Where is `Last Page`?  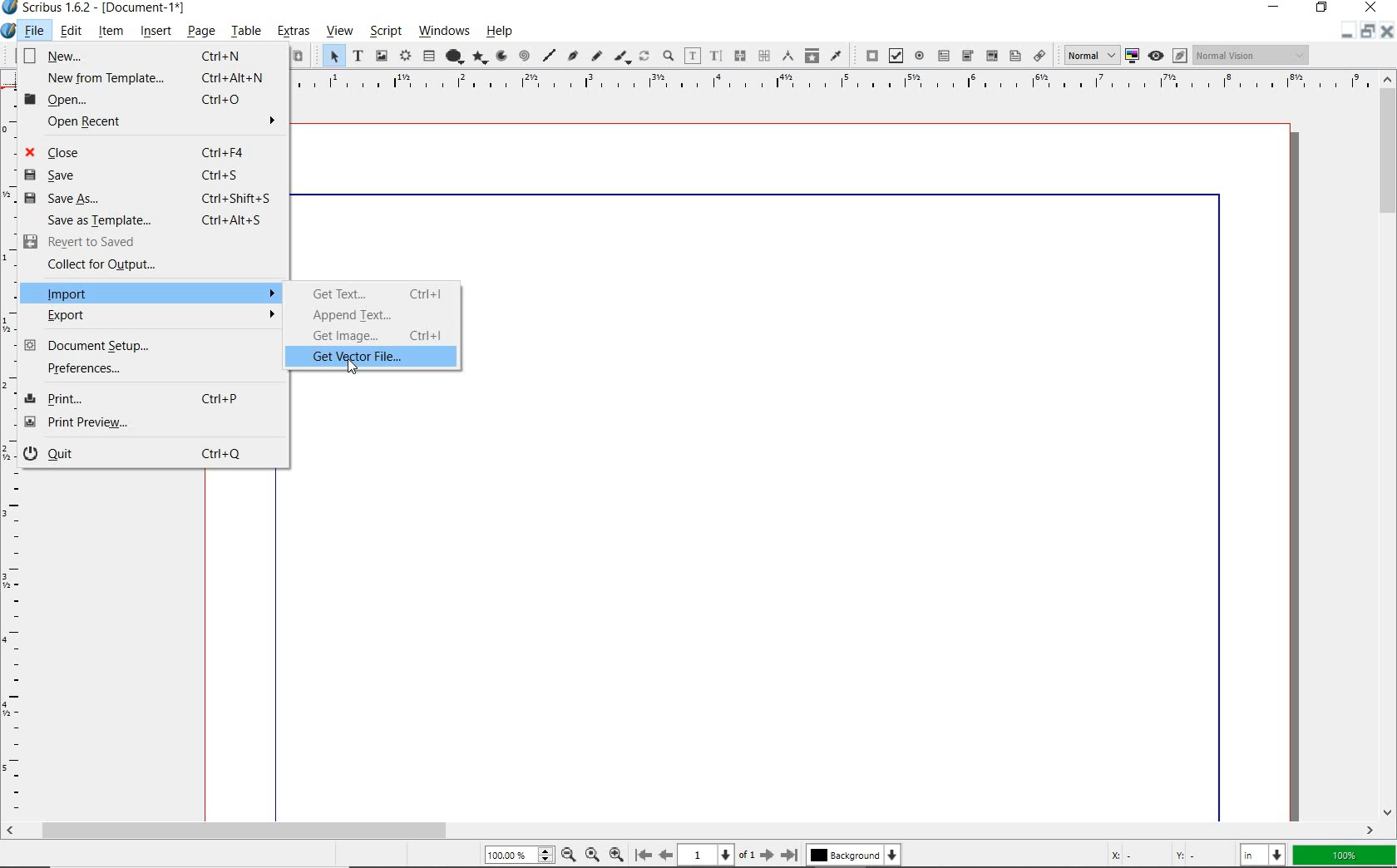 Last Page is located at coordinates (790, 855).